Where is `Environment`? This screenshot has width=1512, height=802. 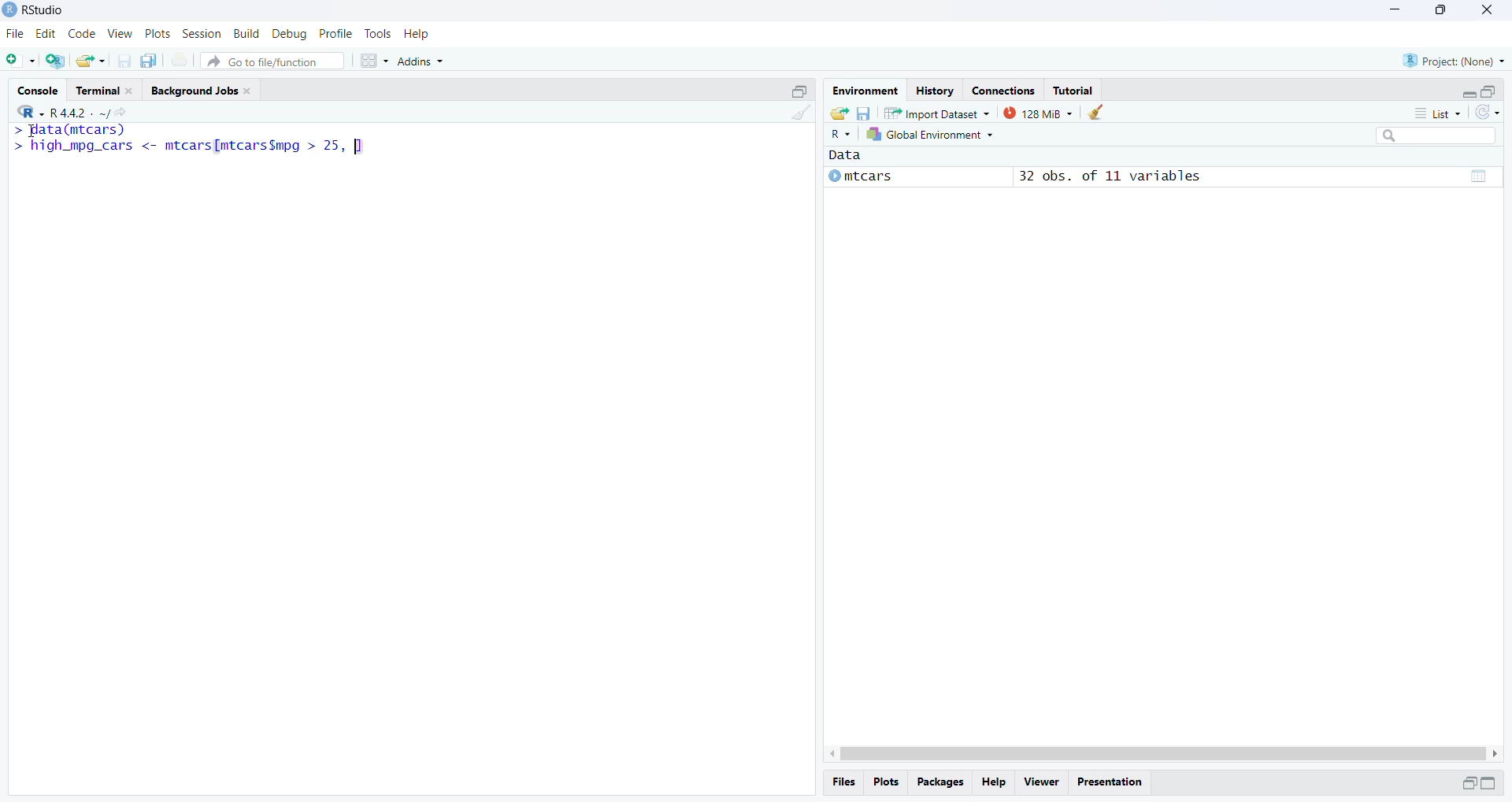
Environment is located at coordinates (863, 89).